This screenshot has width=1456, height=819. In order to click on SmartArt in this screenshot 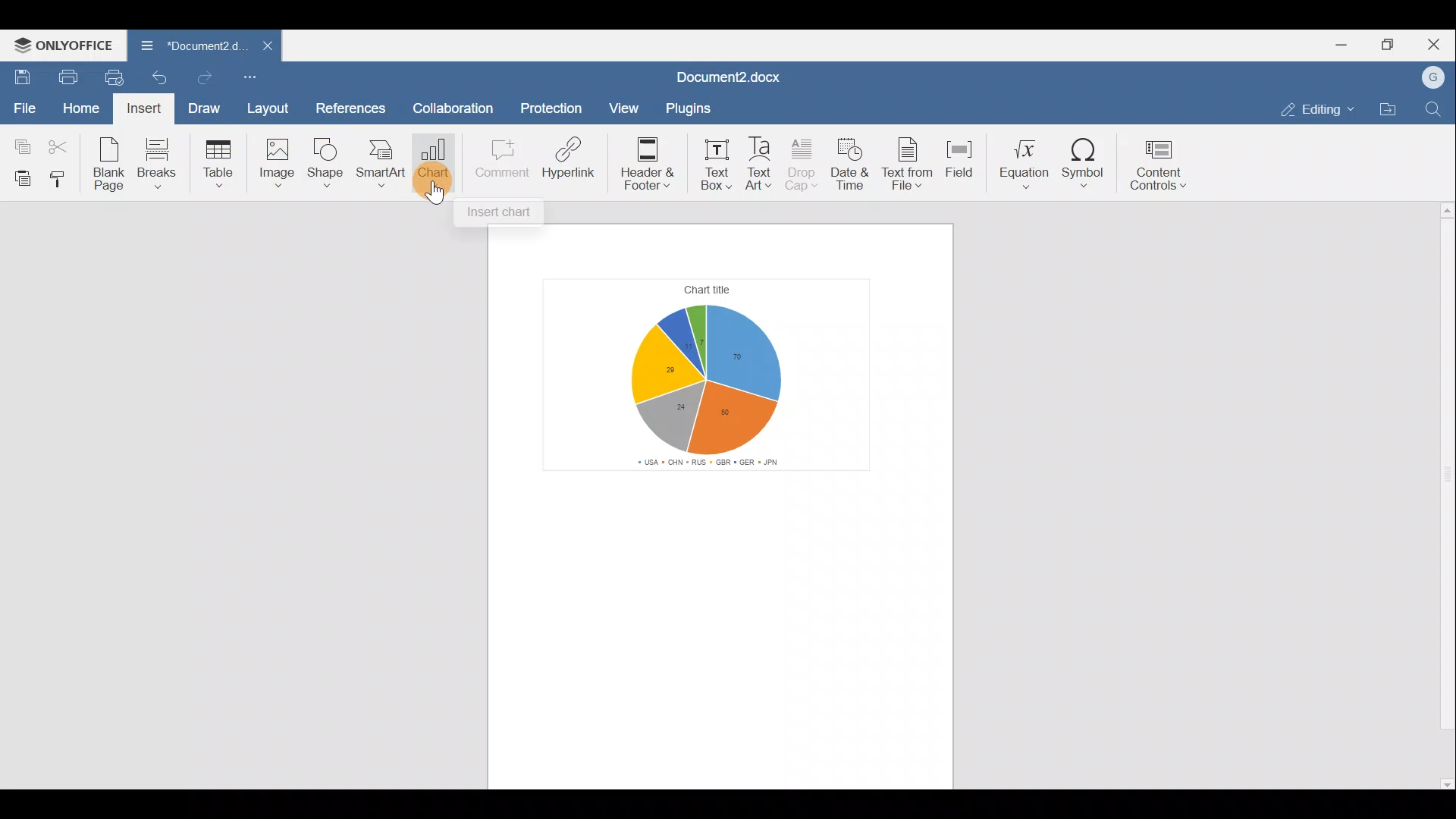, I will do `click(381, 165)`.